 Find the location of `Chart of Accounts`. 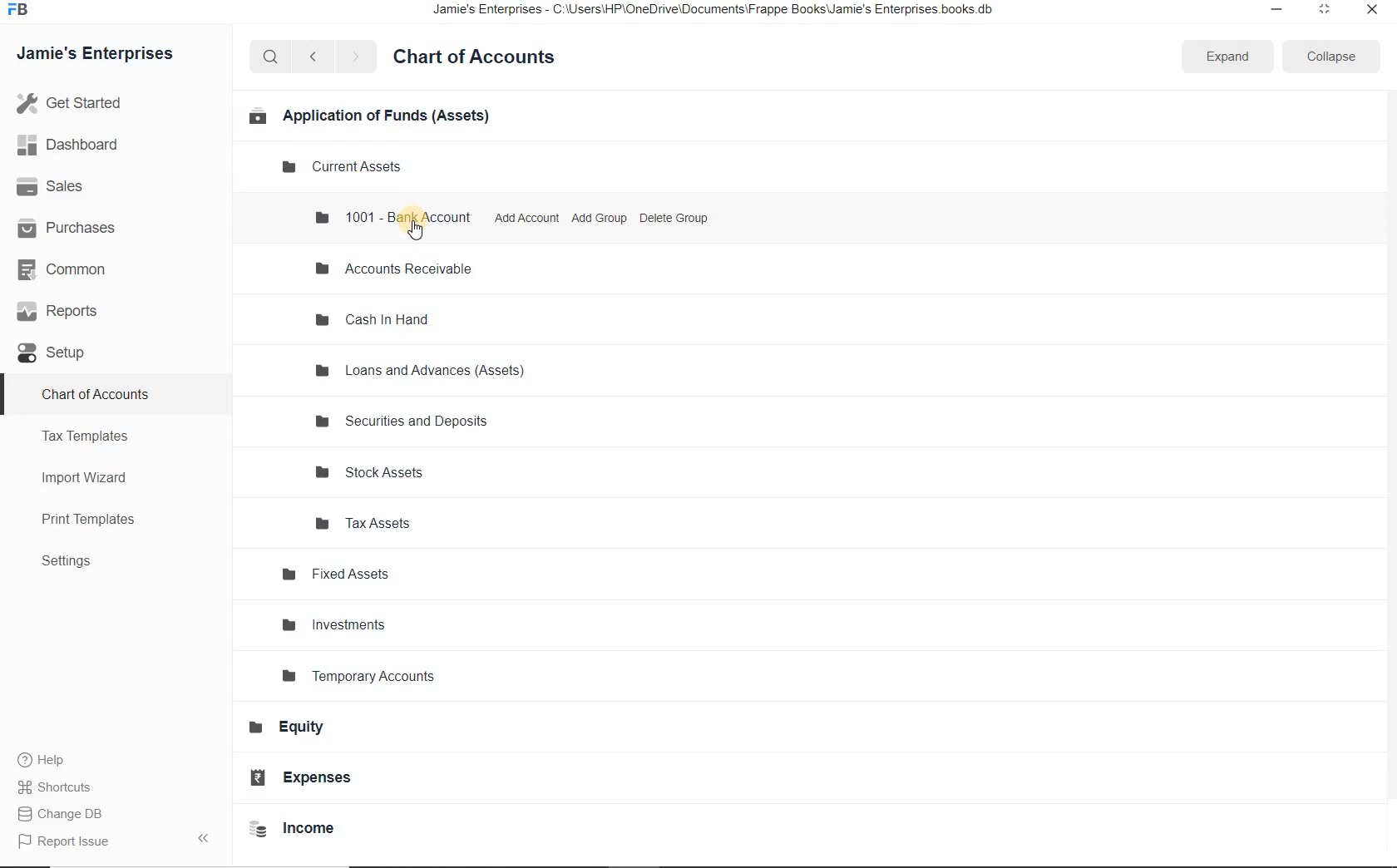

Chart of Accounts is located at coordinates (98, 393).